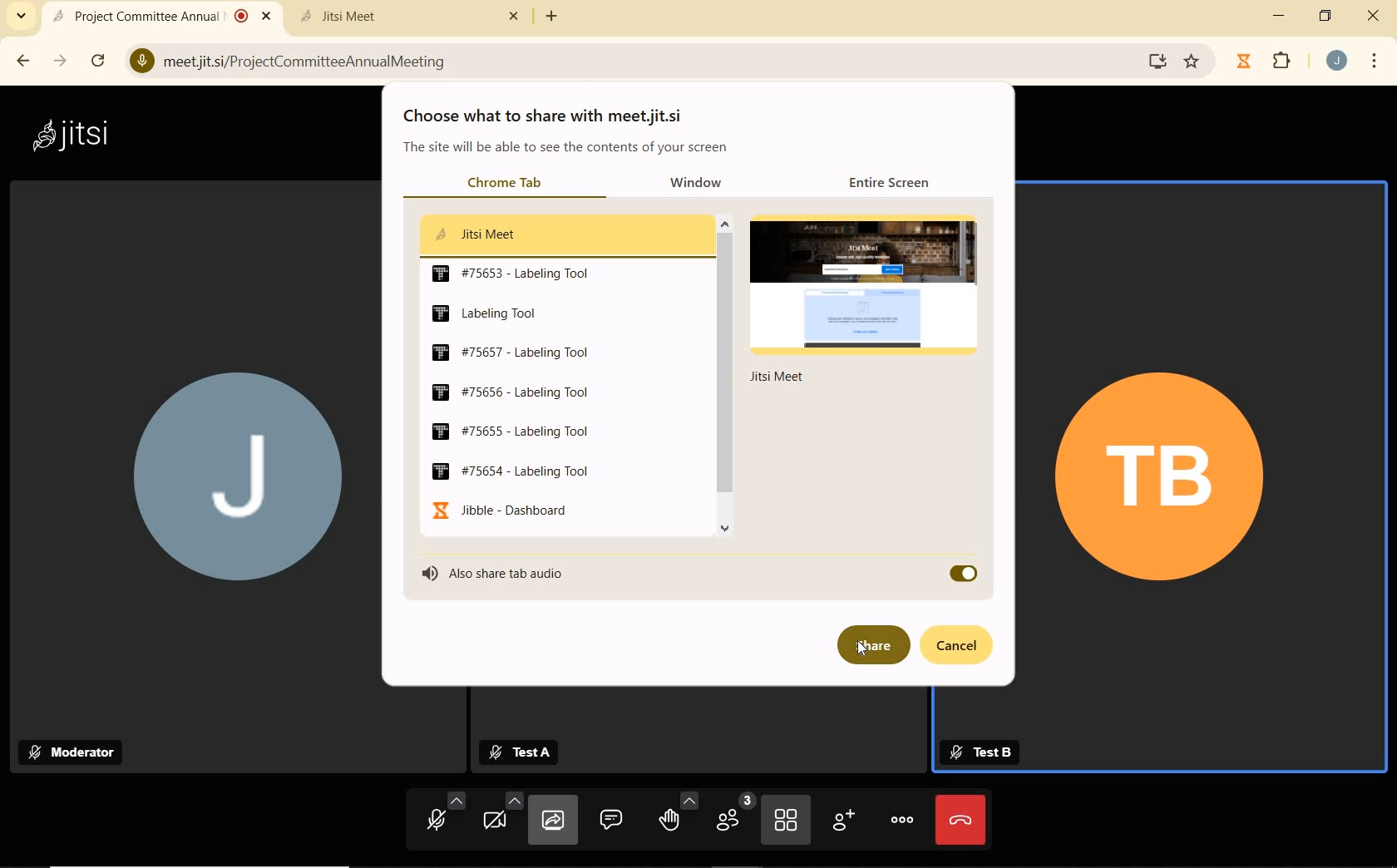 Image resolution: width=1397 pixels, height=868 pixels. What do you see at coordinates (1154, 61) in the screenshot?
I see `screen` at bounding box center [1154, 61].